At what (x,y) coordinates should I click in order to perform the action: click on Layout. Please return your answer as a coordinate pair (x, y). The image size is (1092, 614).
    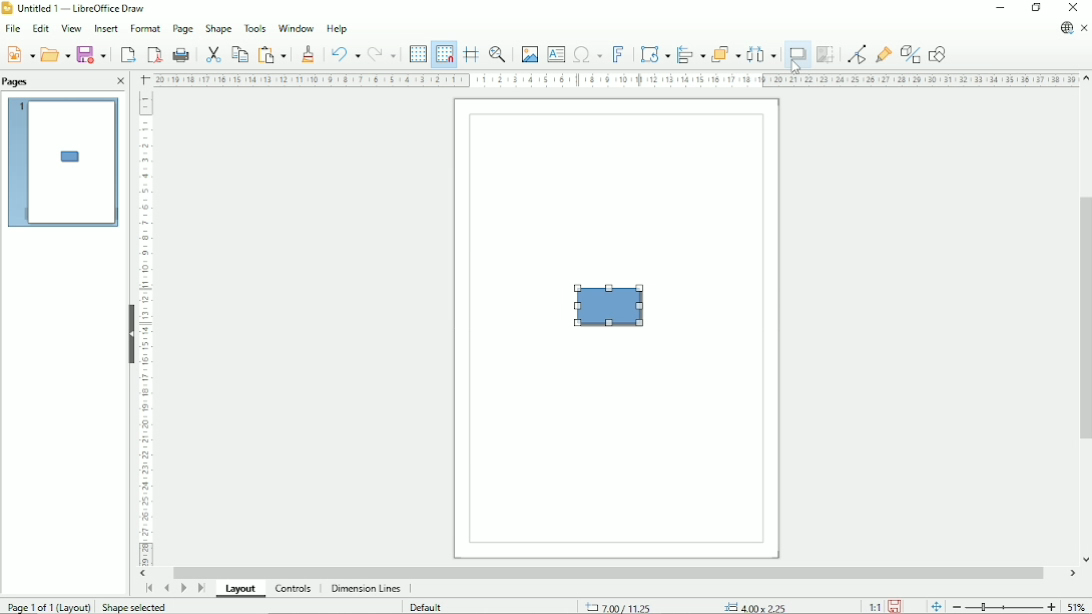
    Looking at the image, I should click on (240, 591).